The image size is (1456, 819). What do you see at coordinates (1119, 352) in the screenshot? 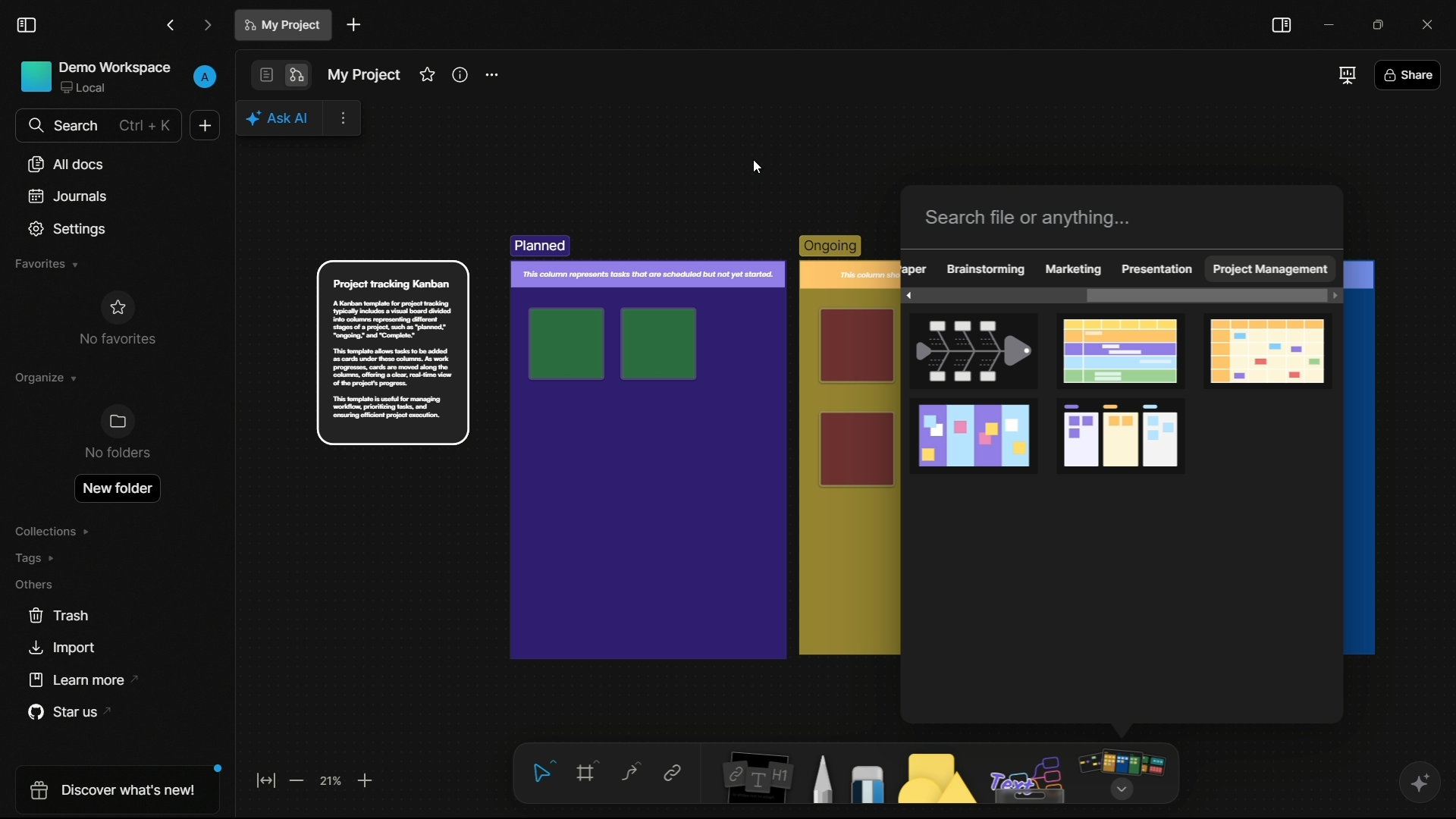
I see `template` at bounding box center [1119, 352].